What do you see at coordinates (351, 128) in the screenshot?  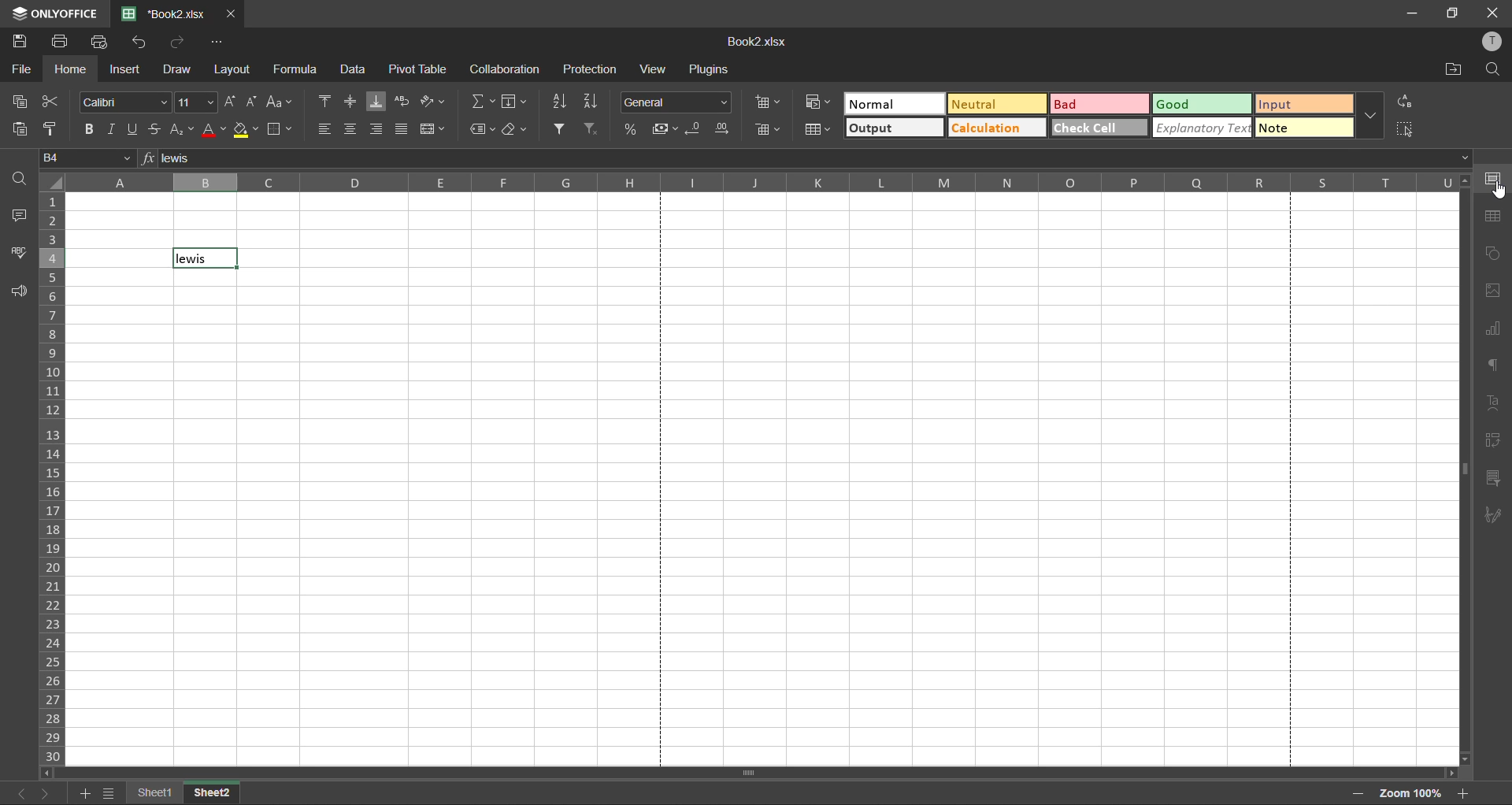 I see `align center` at bounding box center [351, 128].